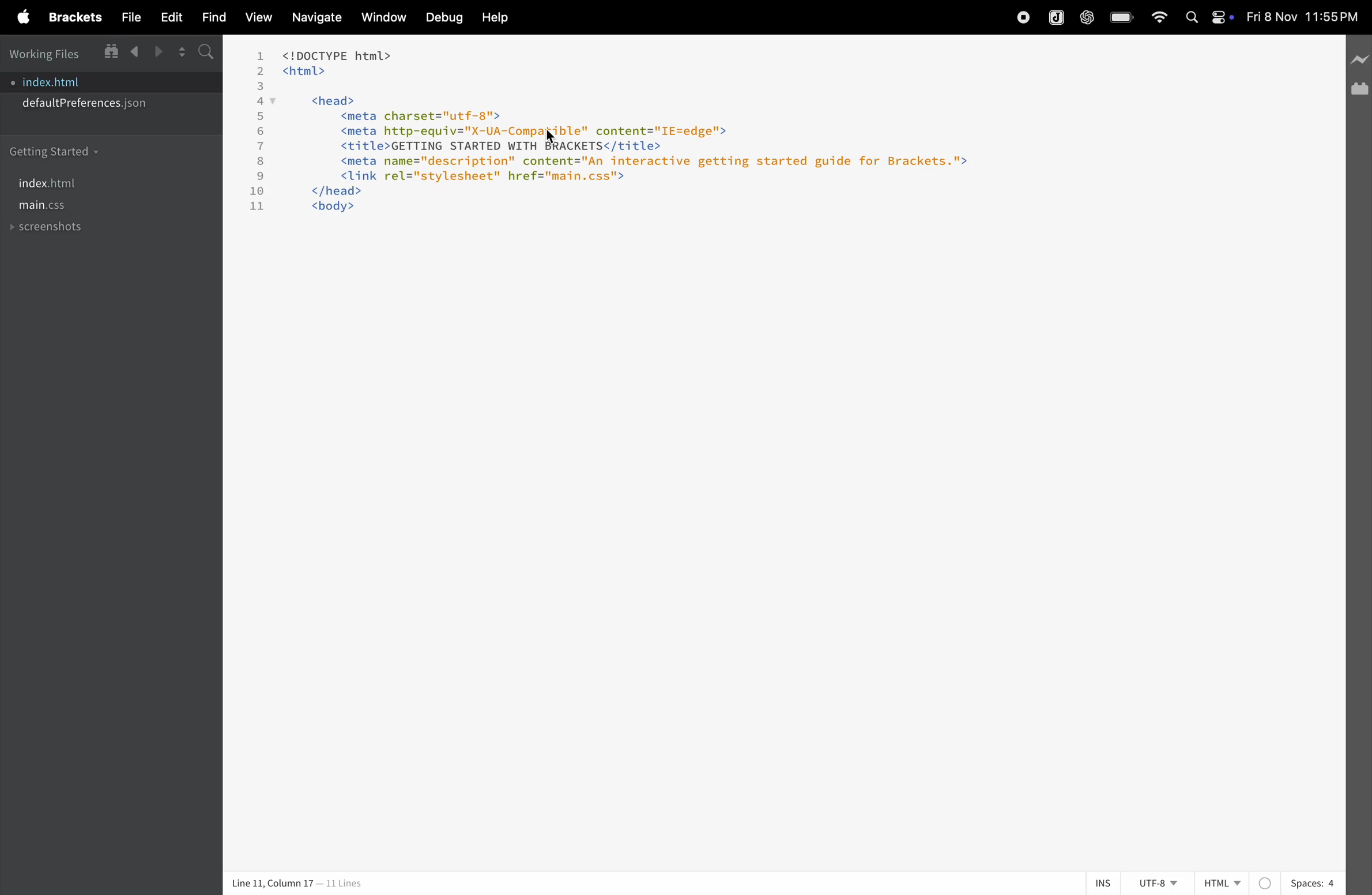 This screenshot has height=895, width=1372. Describe the element at coordinates (205, 51) in the screenshot. I see `search` at that location.